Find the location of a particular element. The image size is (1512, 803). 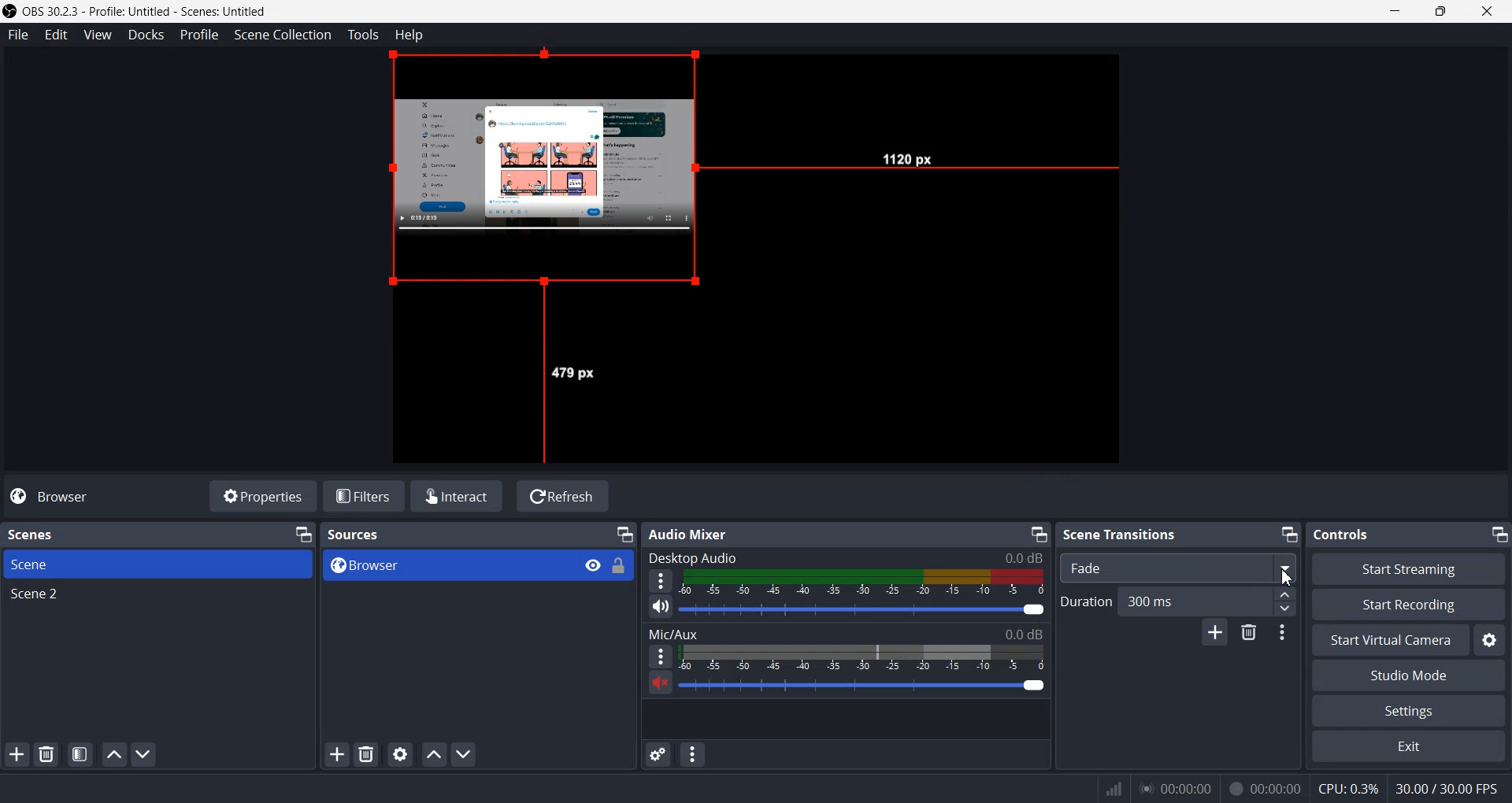

Open source properties is located at coordinates (400, 753).